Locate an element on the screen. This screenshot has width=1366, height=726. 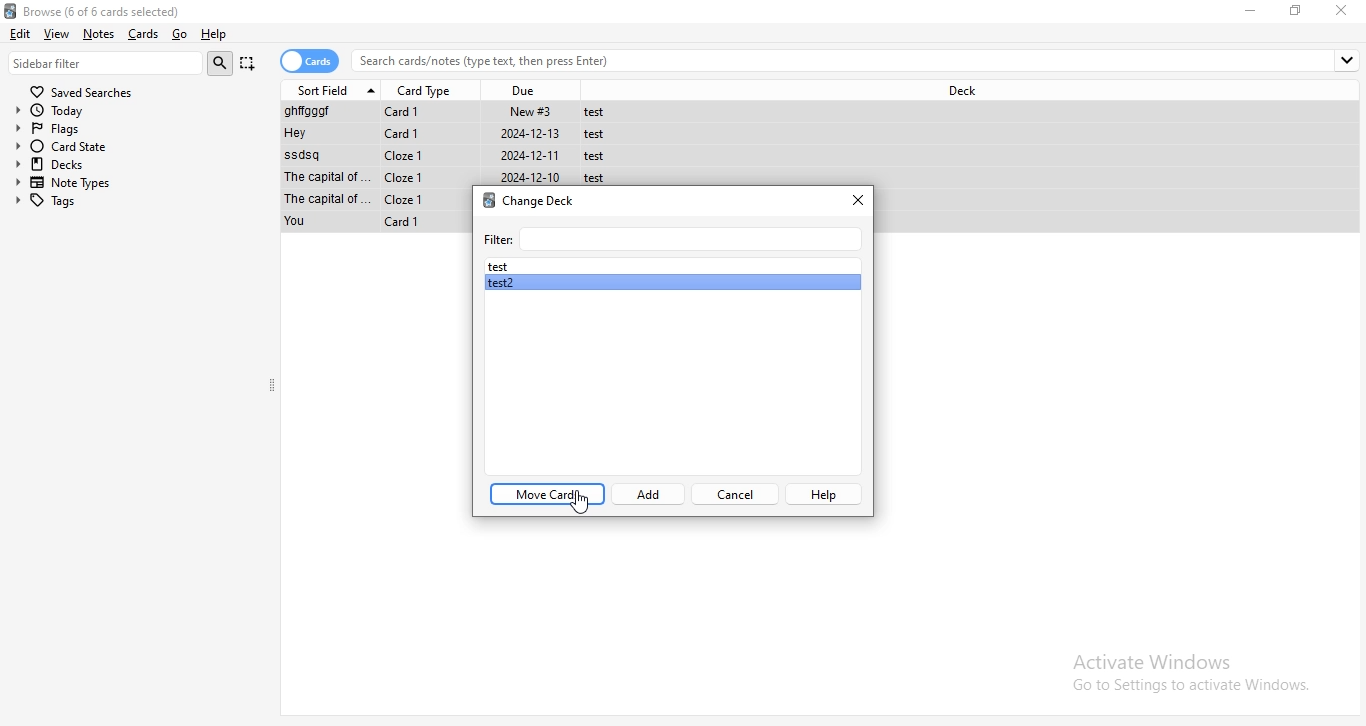
deck is located at coordinates (962, 91).